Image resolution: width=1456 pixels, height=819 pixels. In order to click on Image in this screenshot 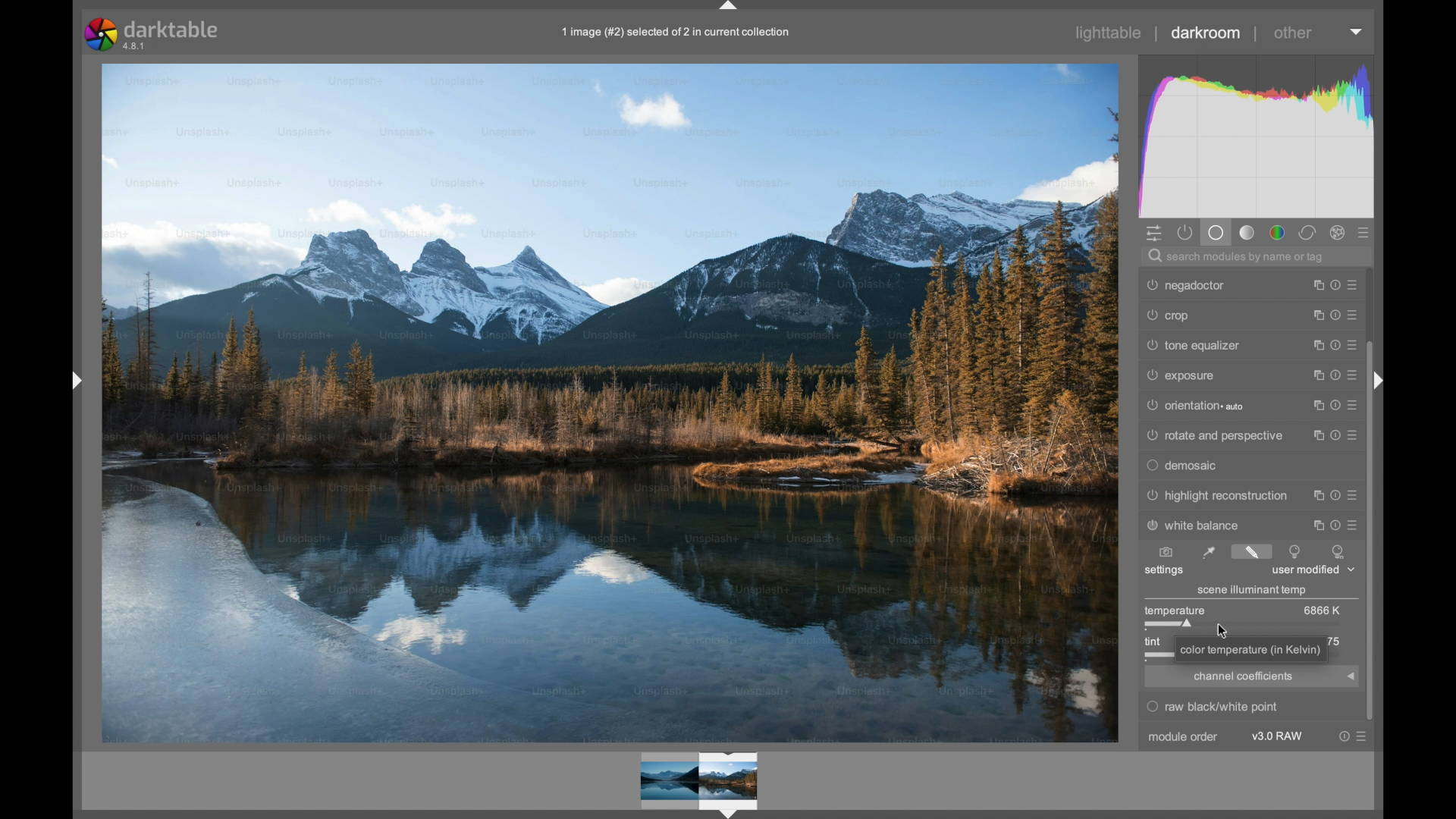, I will do `click(611, 403)`.